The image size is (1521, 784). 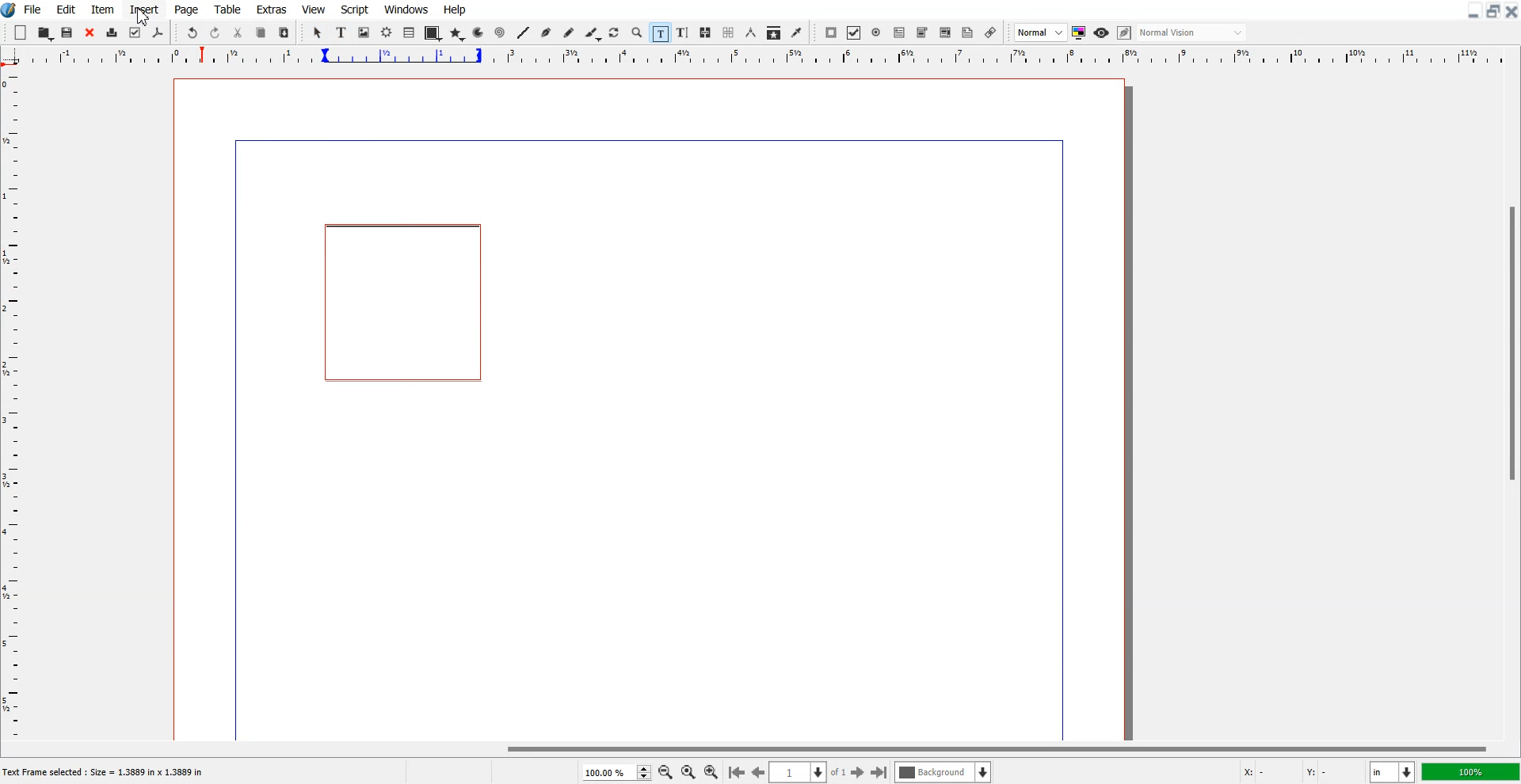 I want to click on Horizontal Scale, so click(x=778, y=57).